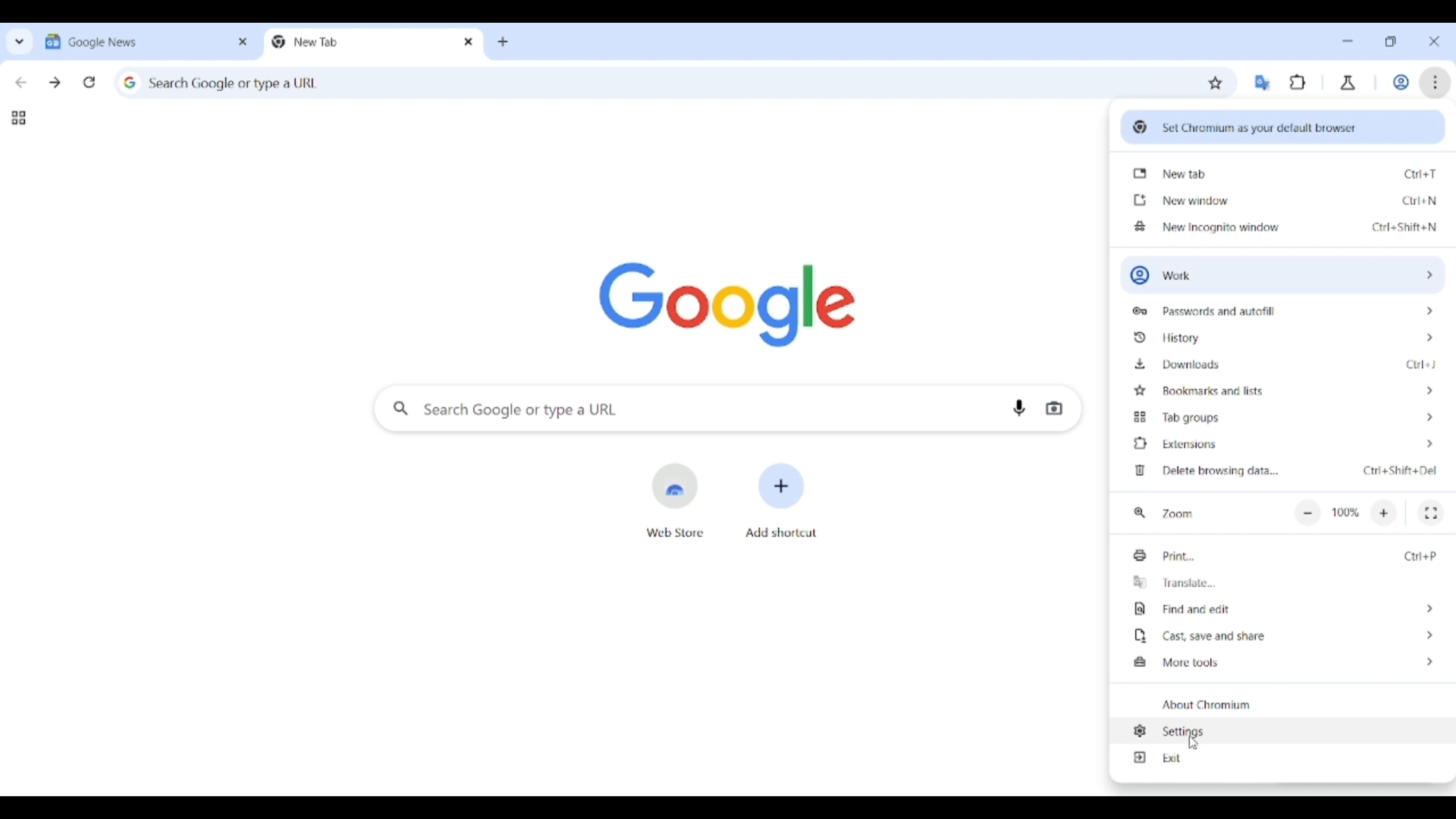  I want to click on Translate, so click(1284, 582).